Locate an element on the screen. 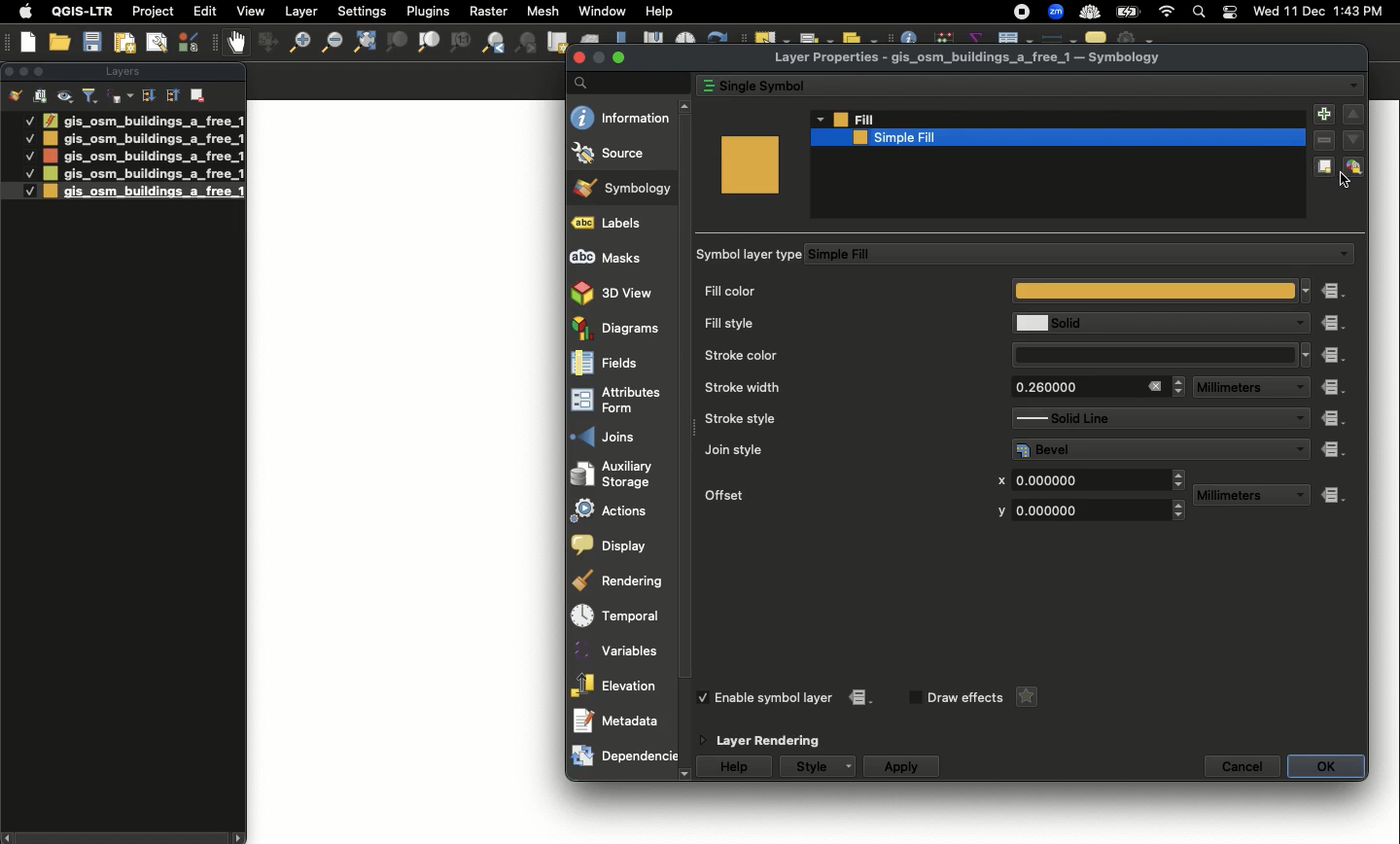   is located at coordinates (1334, 419).